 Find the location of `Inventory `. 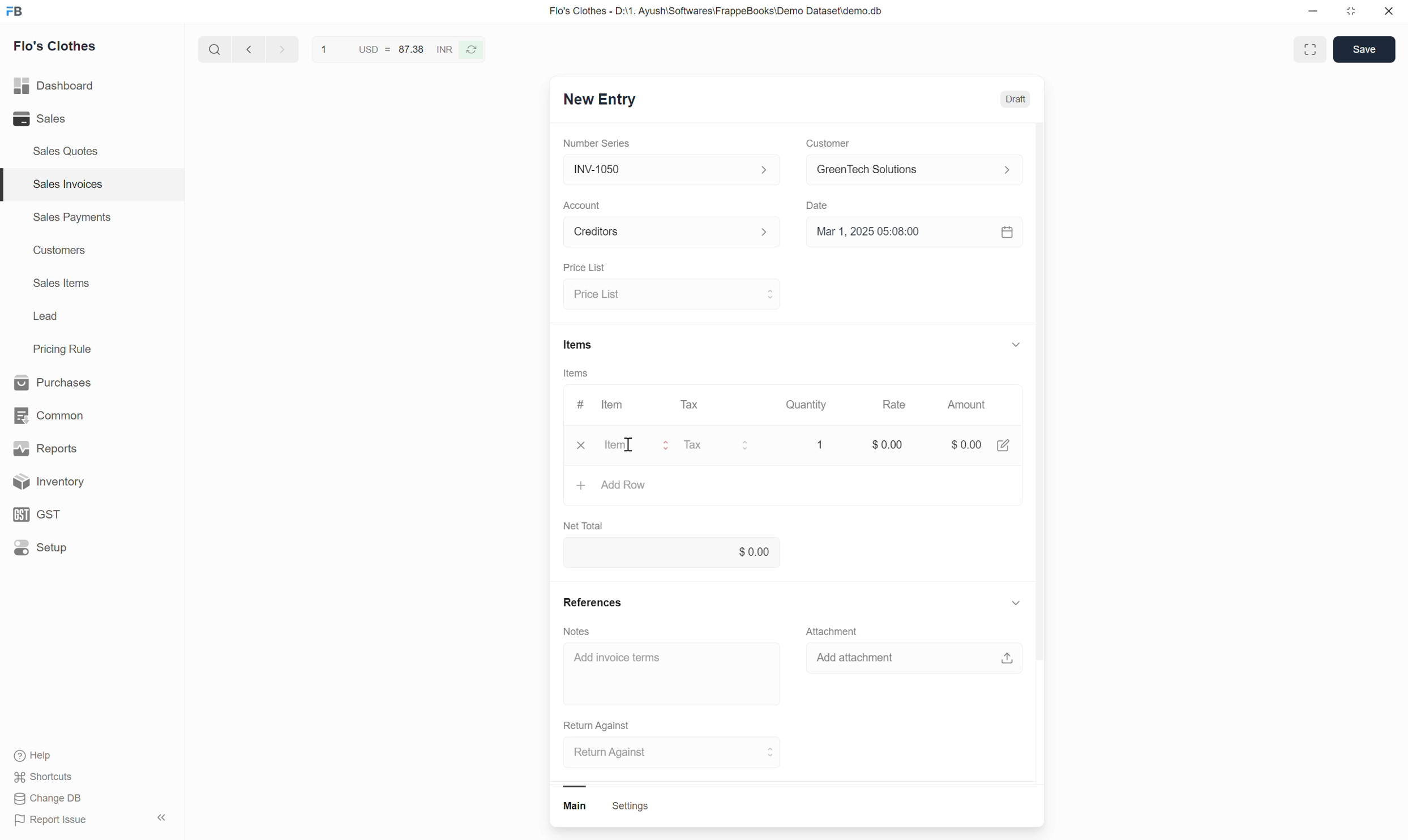

Inventory  is located at coordinates (85, 482).